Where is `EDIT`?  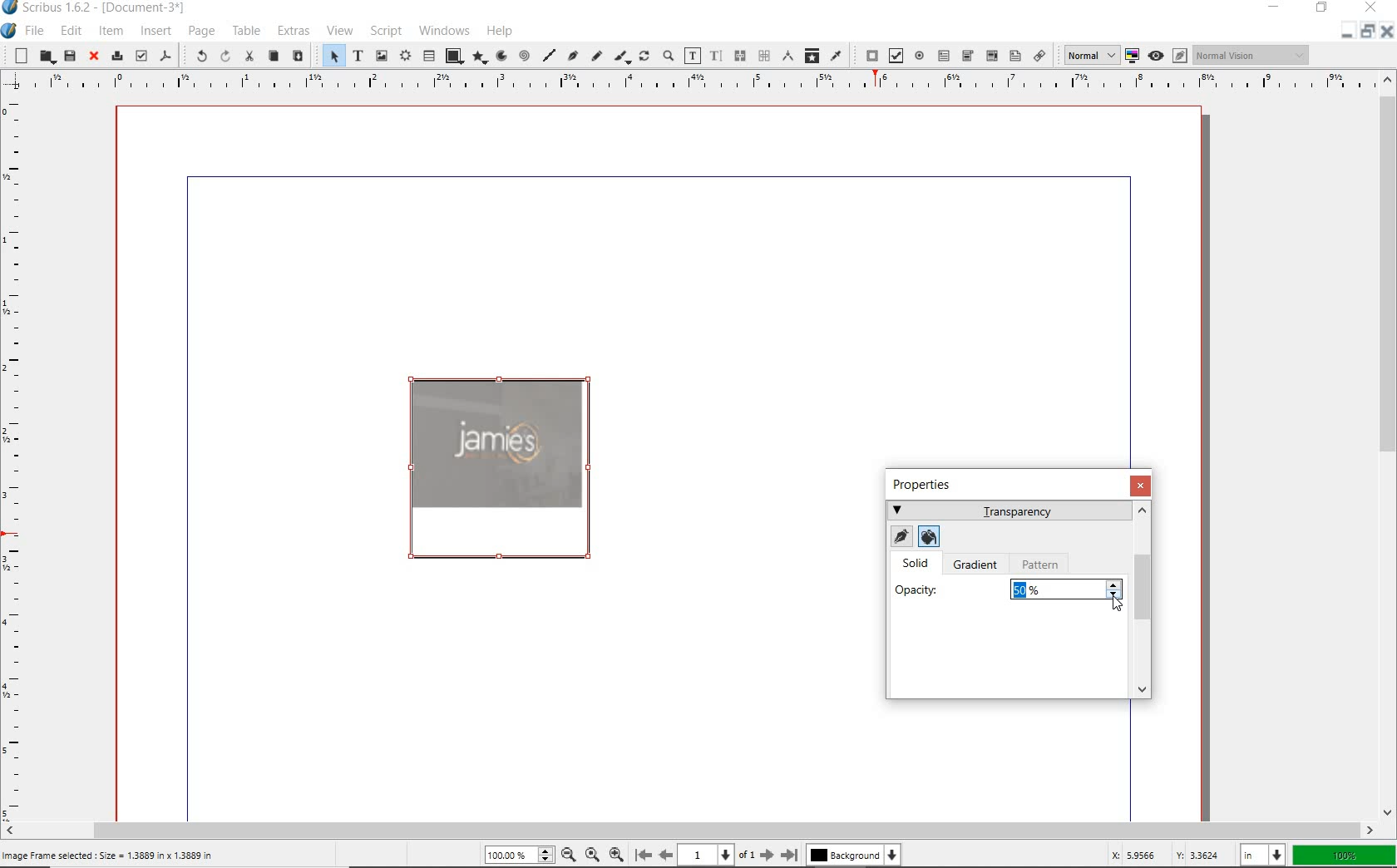
EDIT is located at coordinates (71, 31).